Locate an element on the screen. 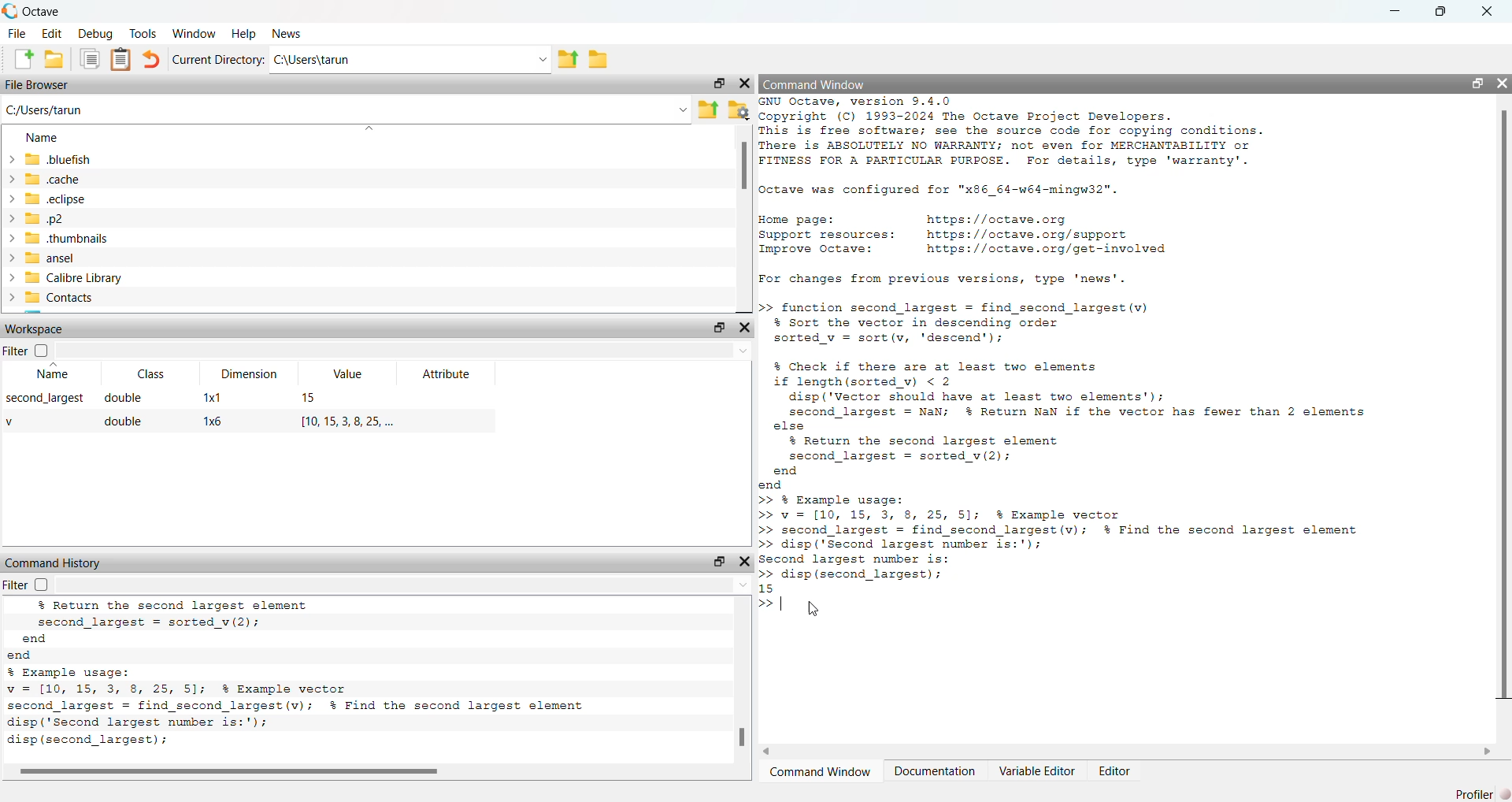  .cache is located at coordinates (68, 180).